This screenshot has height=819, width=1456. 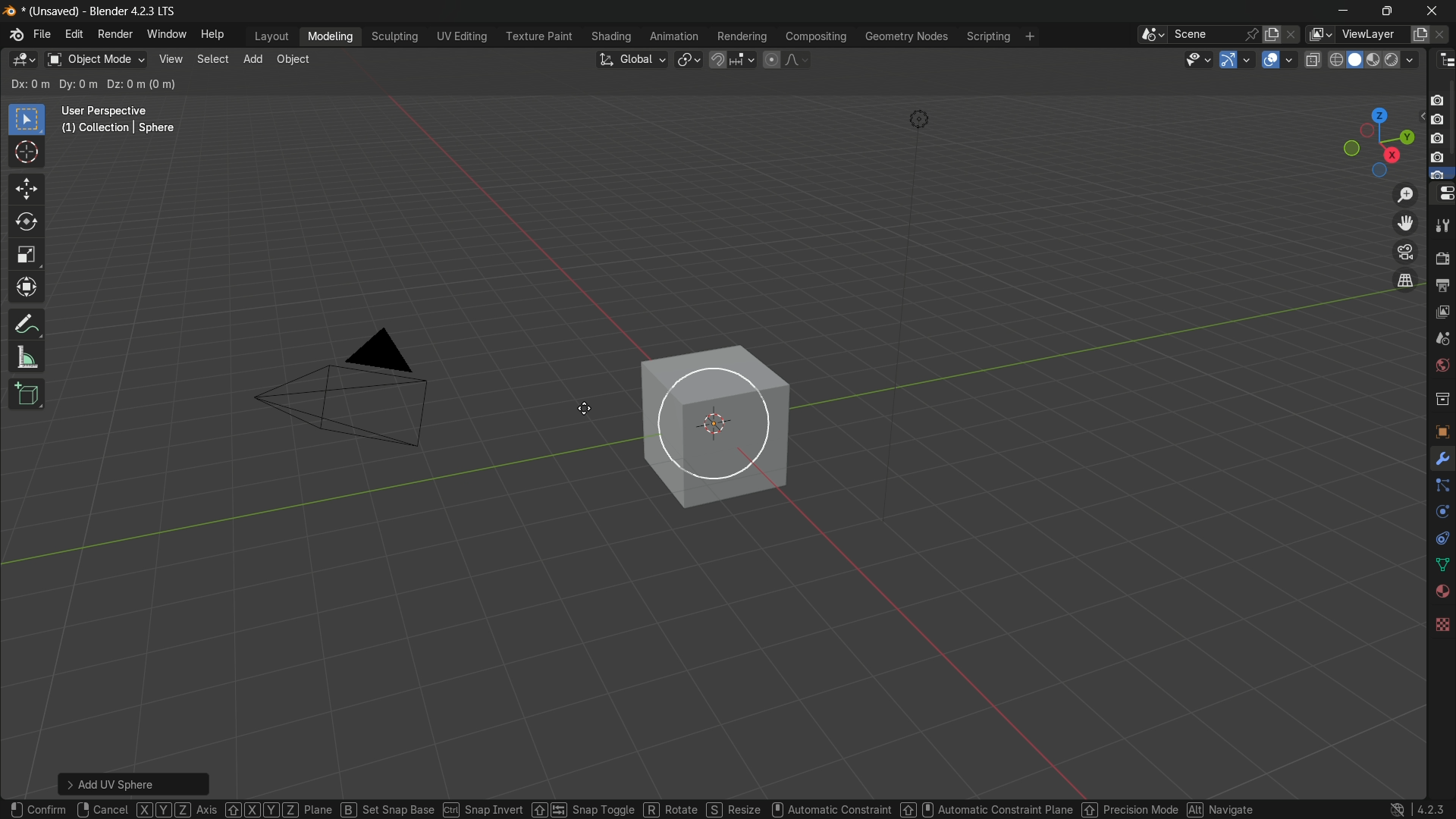 What do you see at coordinates (1199, 61) in the screenshot?
I see `selectability and visibility` at bounding box center [1199, 61].